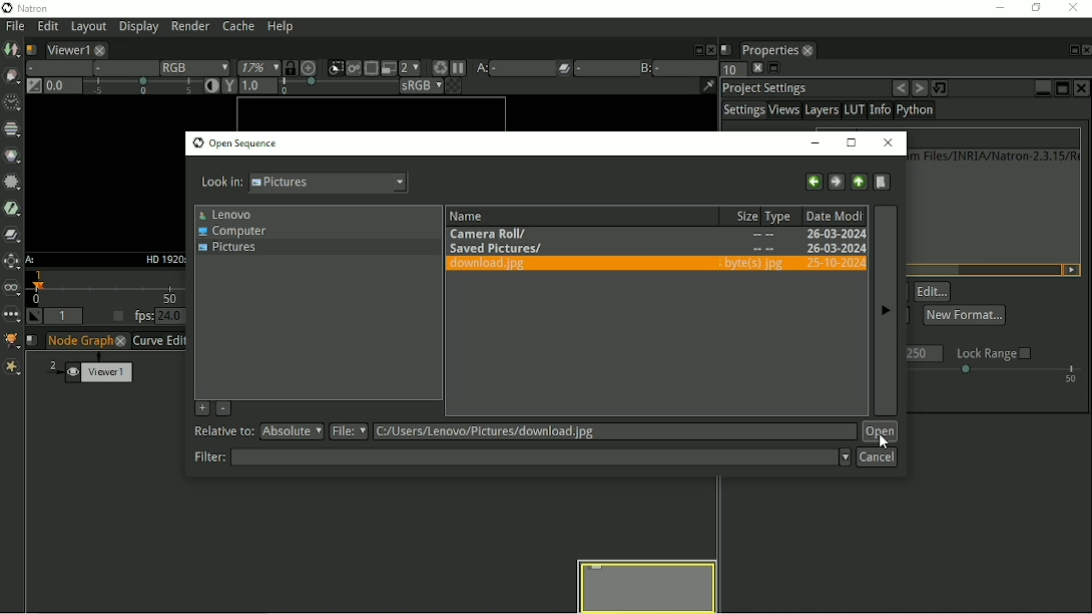 Image resolution: width=1092 pixels, height=614 pixels. I want to click on Display, so click(139, 28).